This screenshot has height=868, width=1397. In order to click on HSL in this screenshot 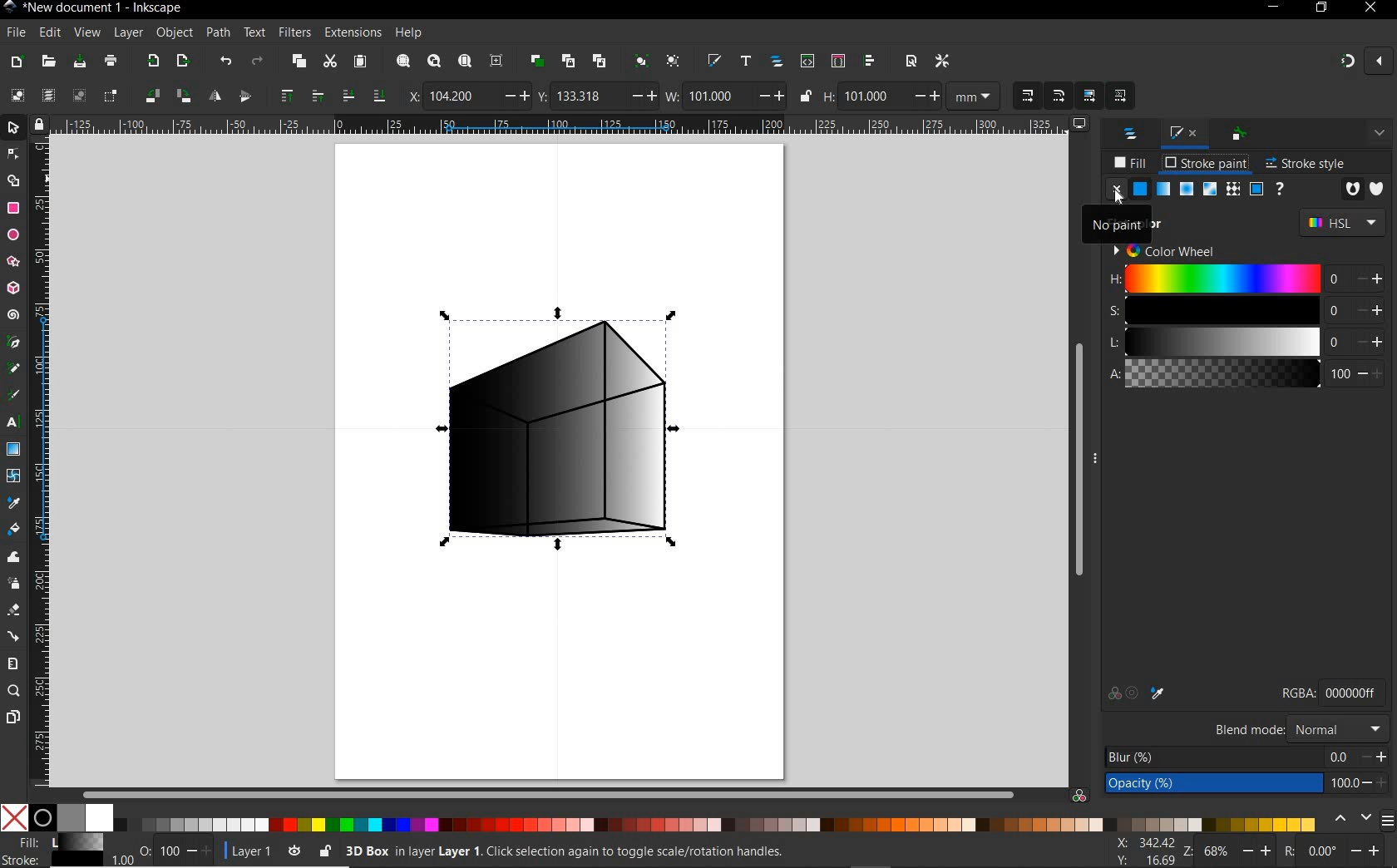, I will do `click(1340, 220)`.